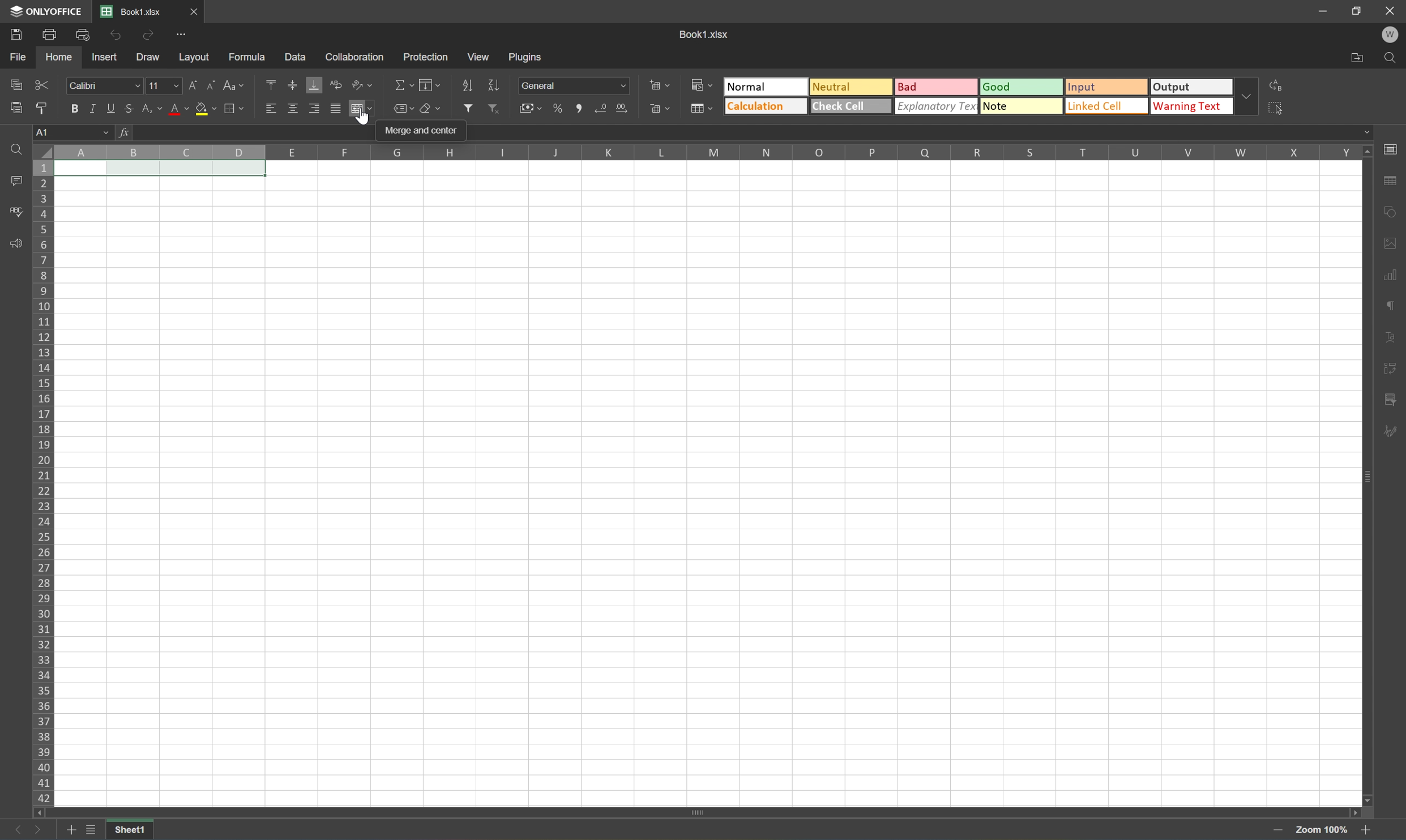 Image resolution: width=1406 pixels, height=840 pixels. I want to click on Good, so click(1023, 86).